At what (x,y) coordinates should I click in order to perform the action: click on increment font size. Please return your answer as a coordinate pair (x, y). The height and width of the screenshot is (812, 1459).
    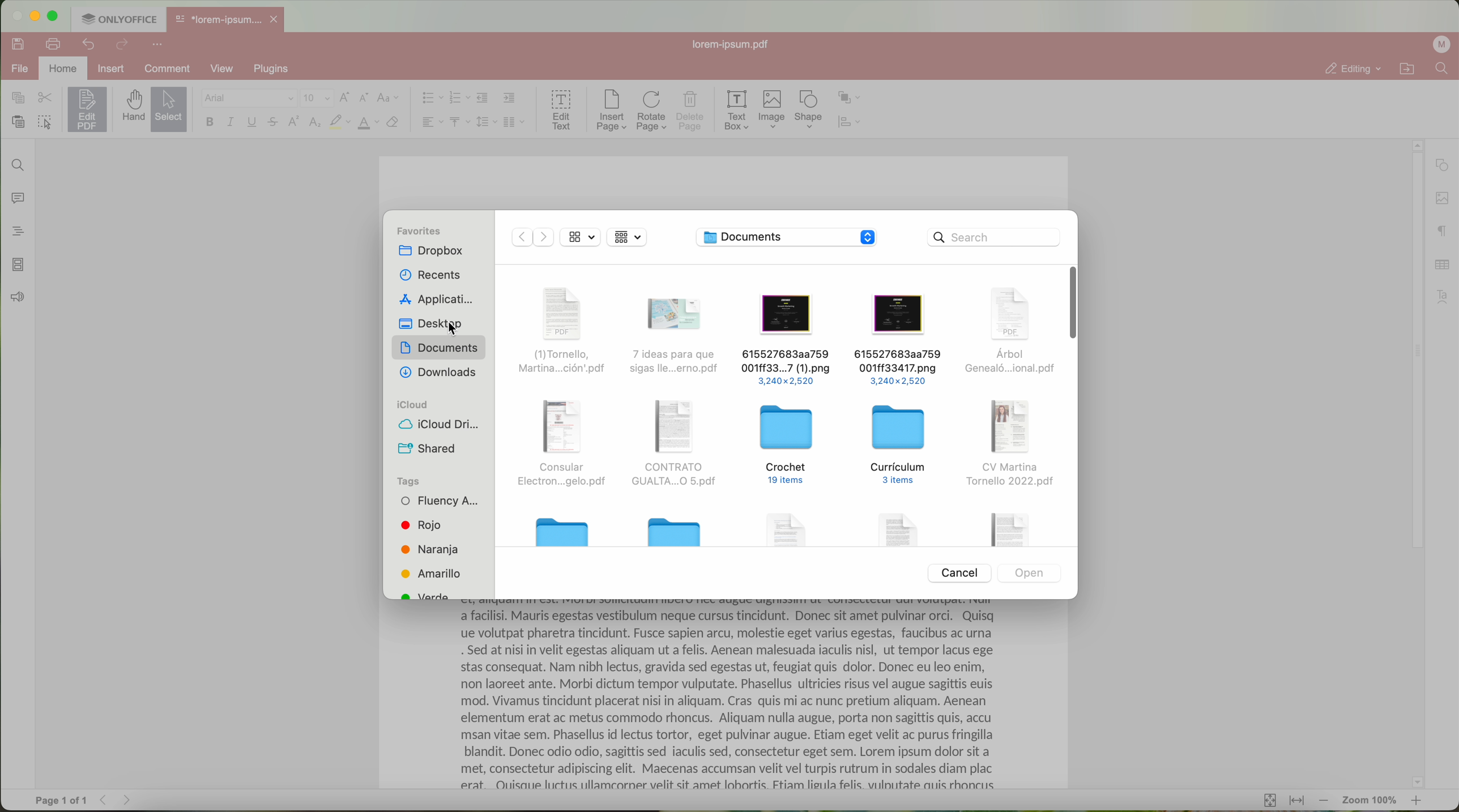
    Looking at the image, I should click on (344, 97).